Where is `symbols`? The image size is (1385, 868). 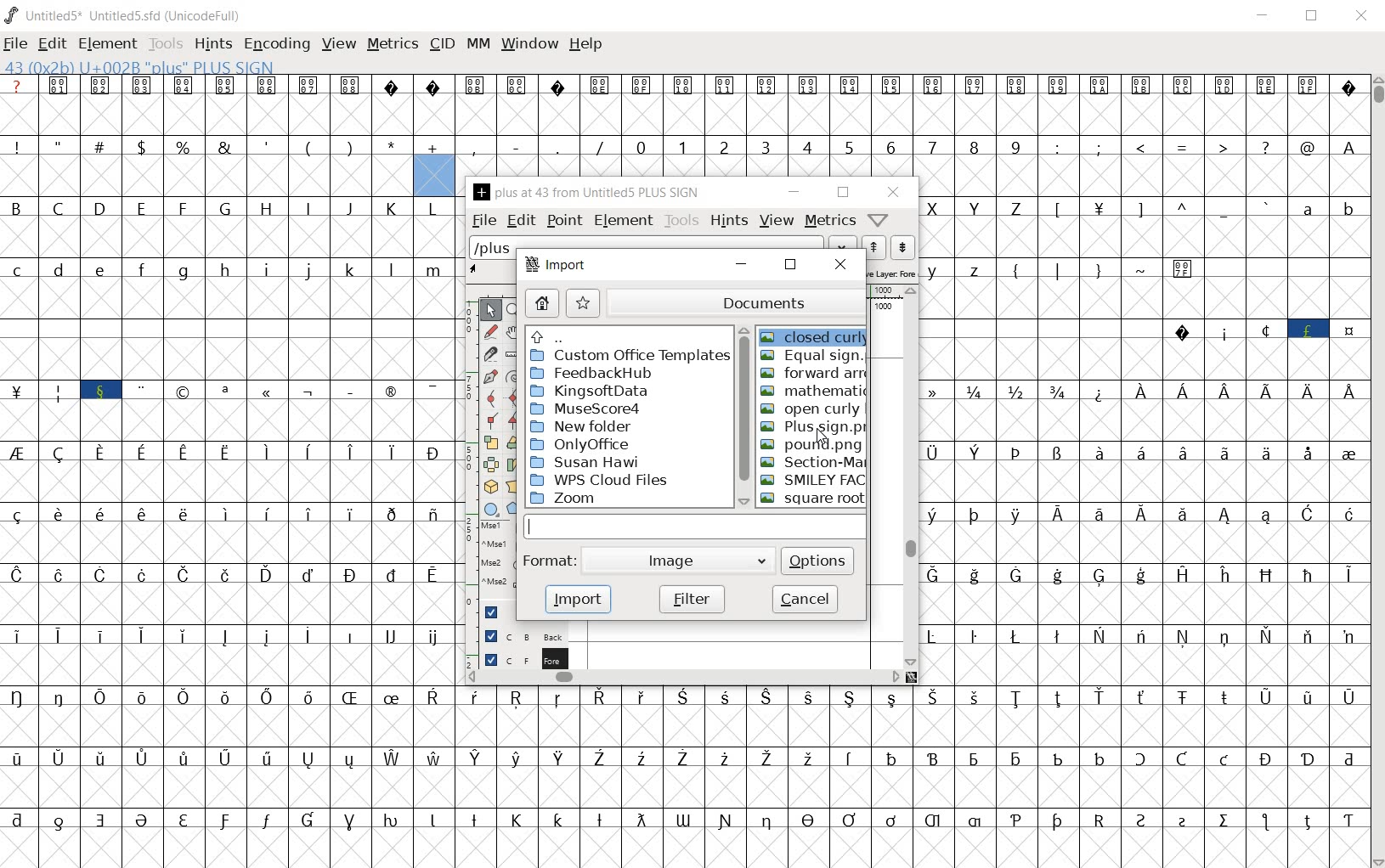 symbols is located at coordinates (684, 104).